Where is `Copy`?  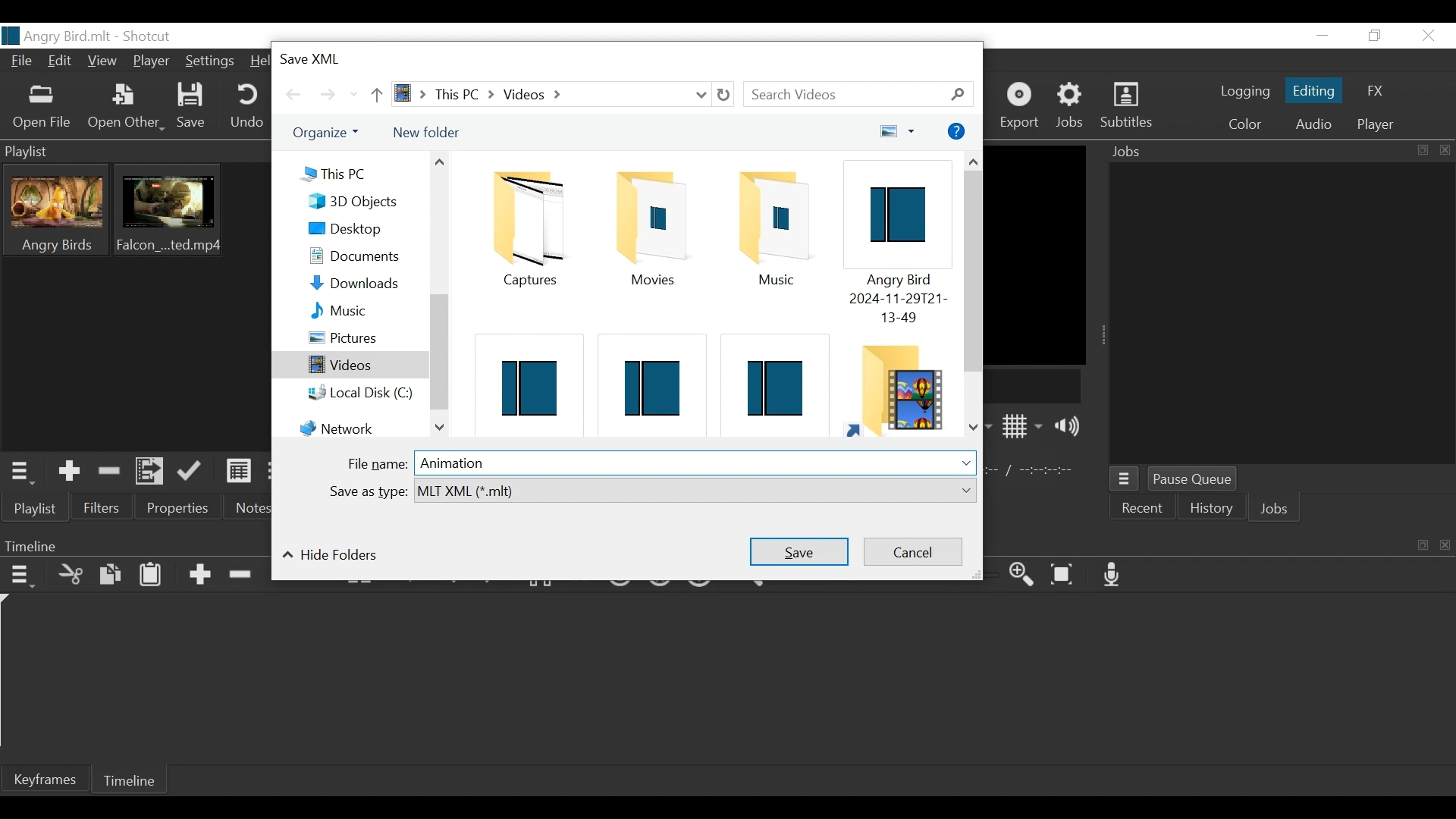 Copy is located at coordinates (113, 575).